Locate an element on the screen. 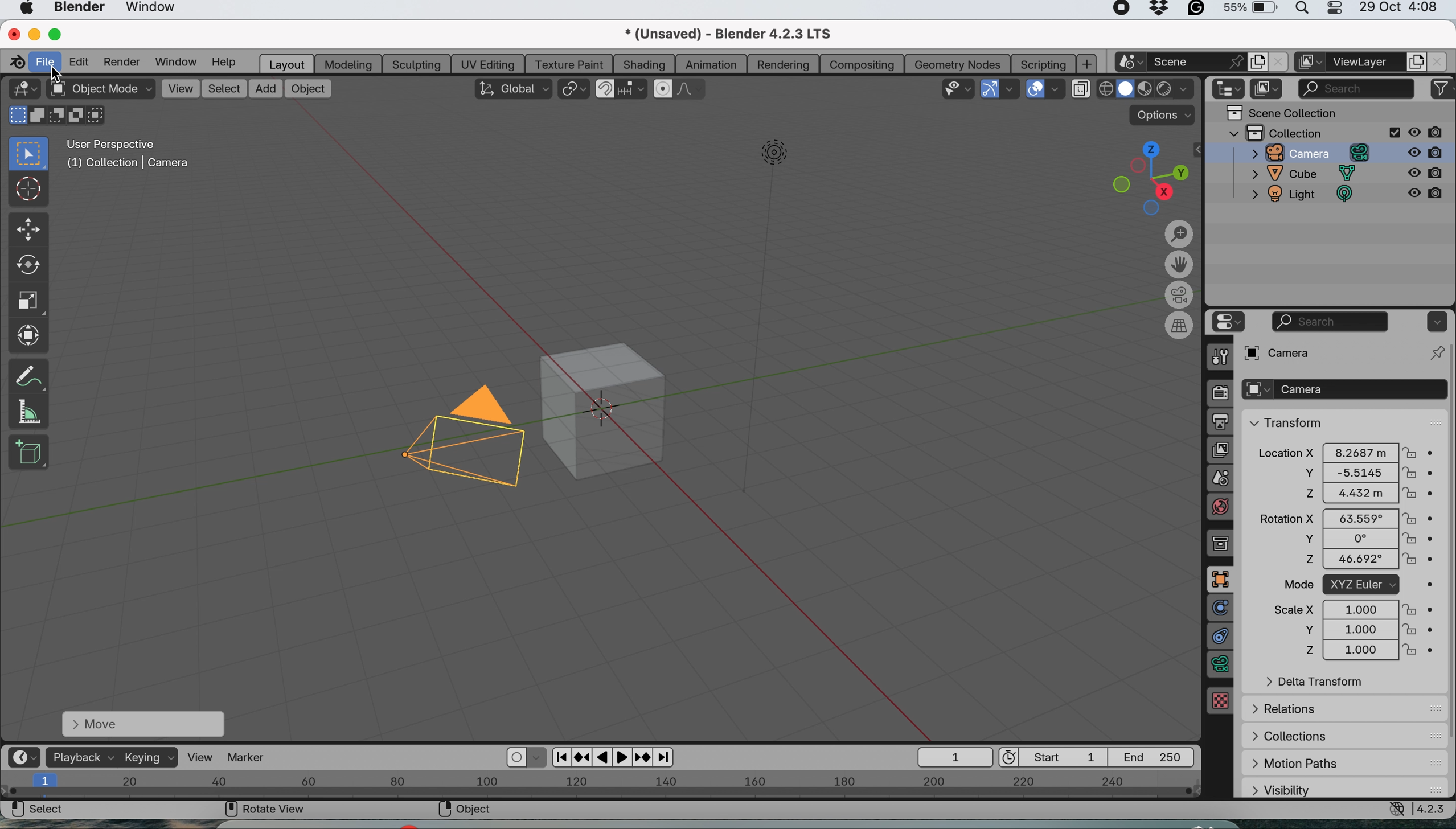  object is located at coordinates (308, 89).